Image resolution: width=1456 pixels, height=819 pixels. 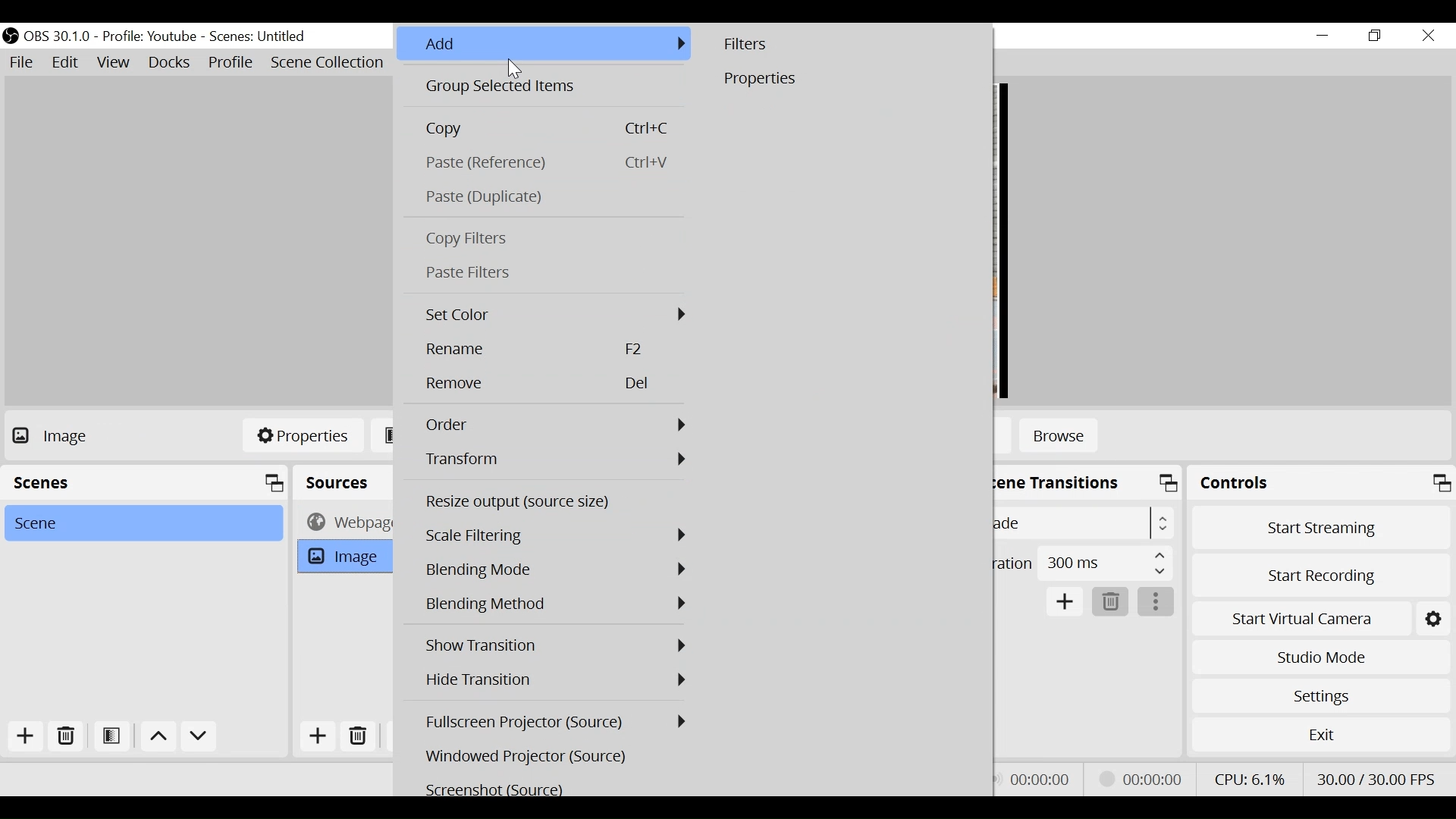 What do you see at coordinates (1250, 779) in the screenshot?
I see `CPU Usage` at bounding box center [1250, 779].